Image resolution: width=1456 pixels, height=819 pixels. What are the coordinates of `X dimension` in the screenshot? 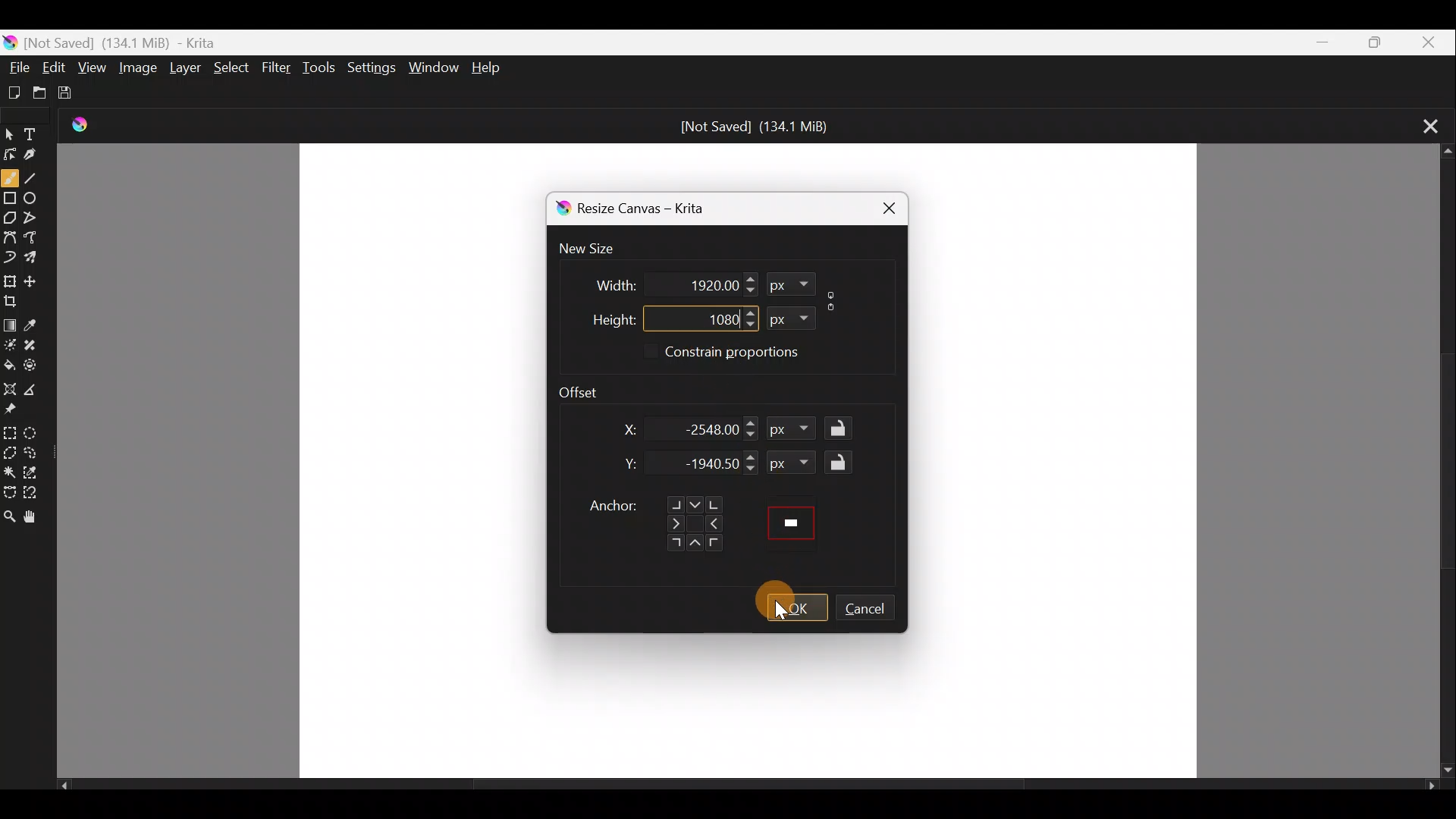 It's located at (620, 429).